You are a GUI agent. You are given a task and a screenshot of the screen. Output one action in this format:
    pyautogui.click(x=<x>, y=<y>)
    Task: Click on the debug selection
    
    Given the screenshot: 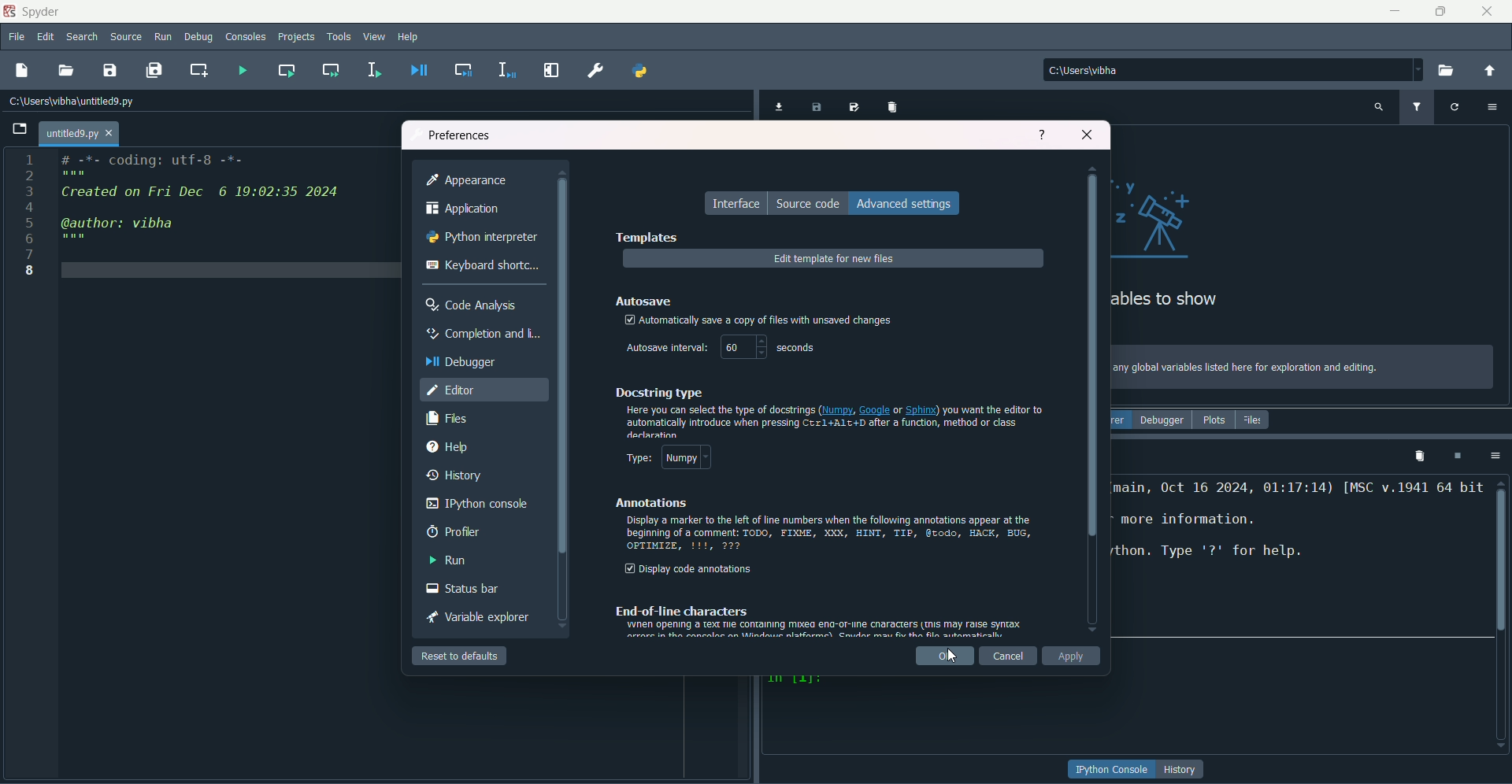 What is the action you would take?
    pyautogui.click(x=504, y=70)
    